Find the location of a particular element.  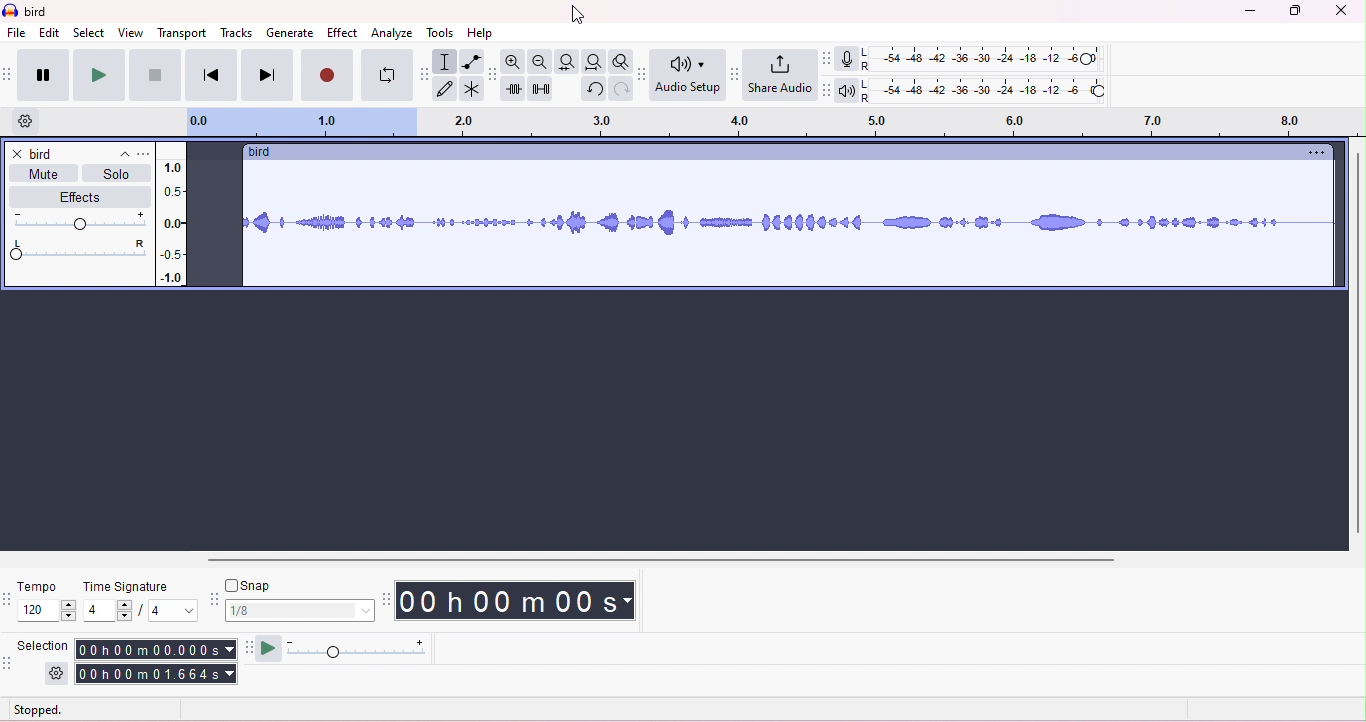

file is located at coordinates (17, 34).